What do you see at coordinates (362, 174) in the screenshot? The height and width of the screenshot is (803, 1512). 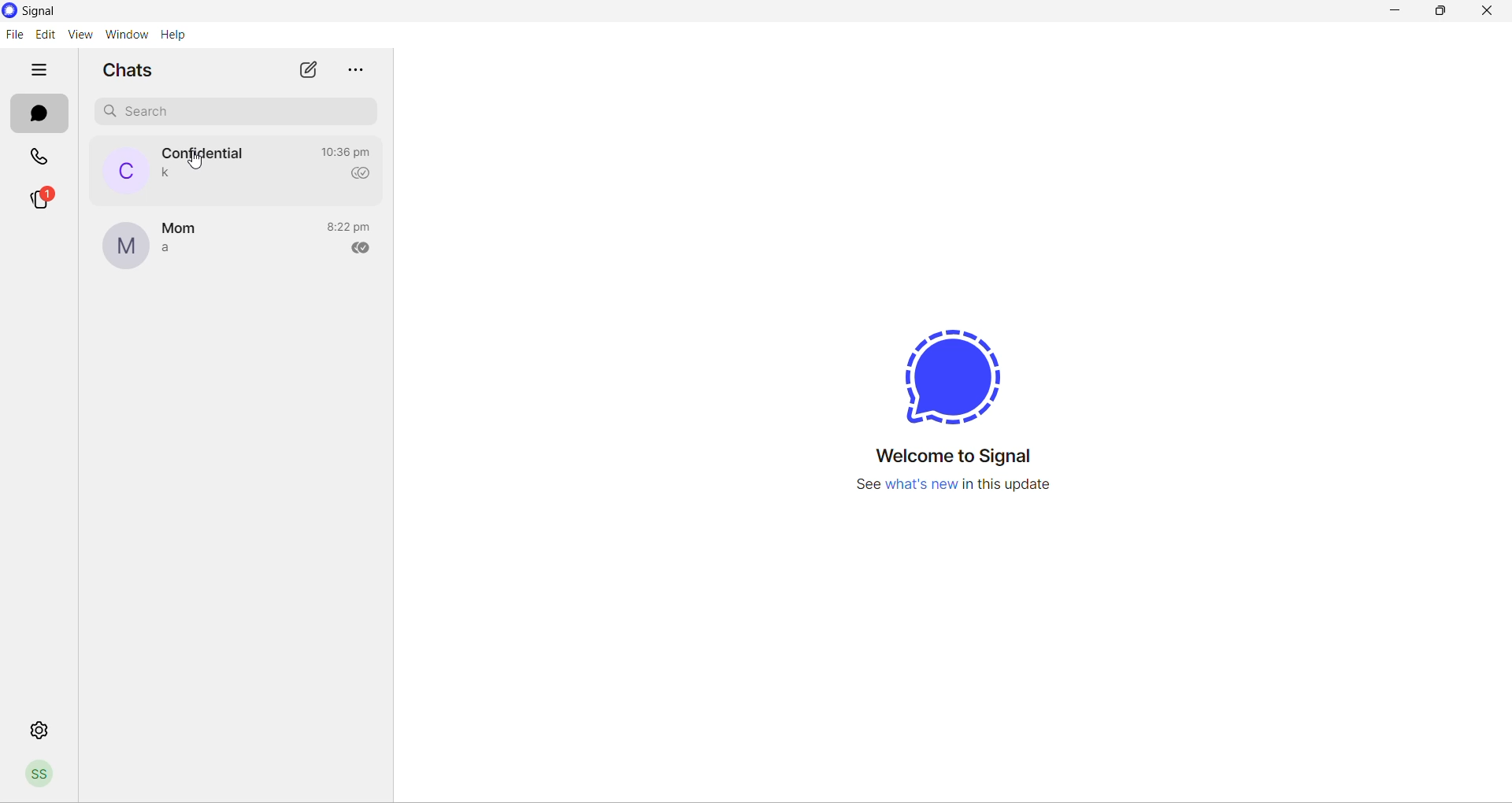 I see `read recipient` at bounding box center [362, 174].